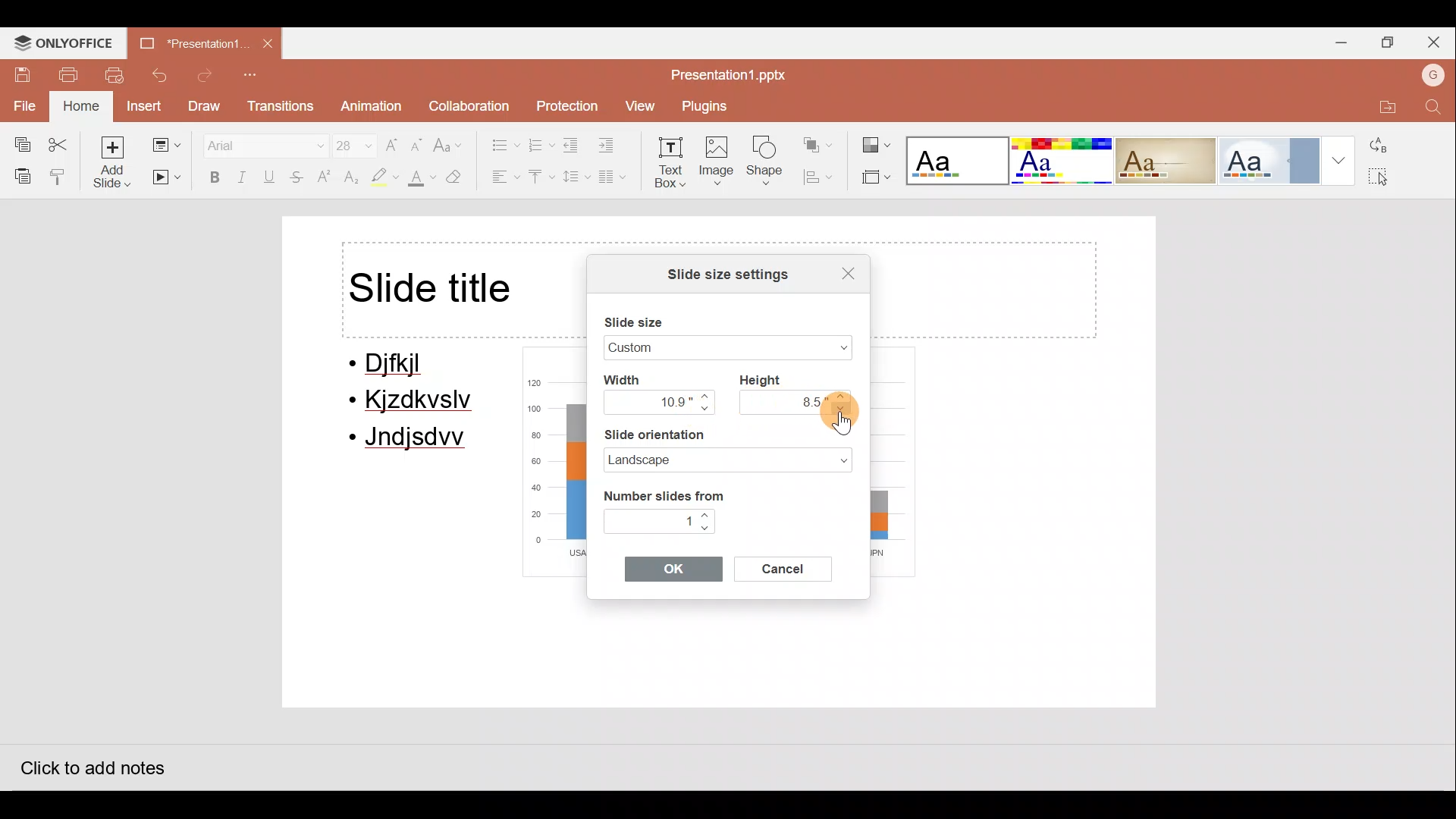 The height and width of the screenshot is (819, 1456). Describe the element at coordinates (1391, 178) in the screenshot. I see `Select all` at that location.